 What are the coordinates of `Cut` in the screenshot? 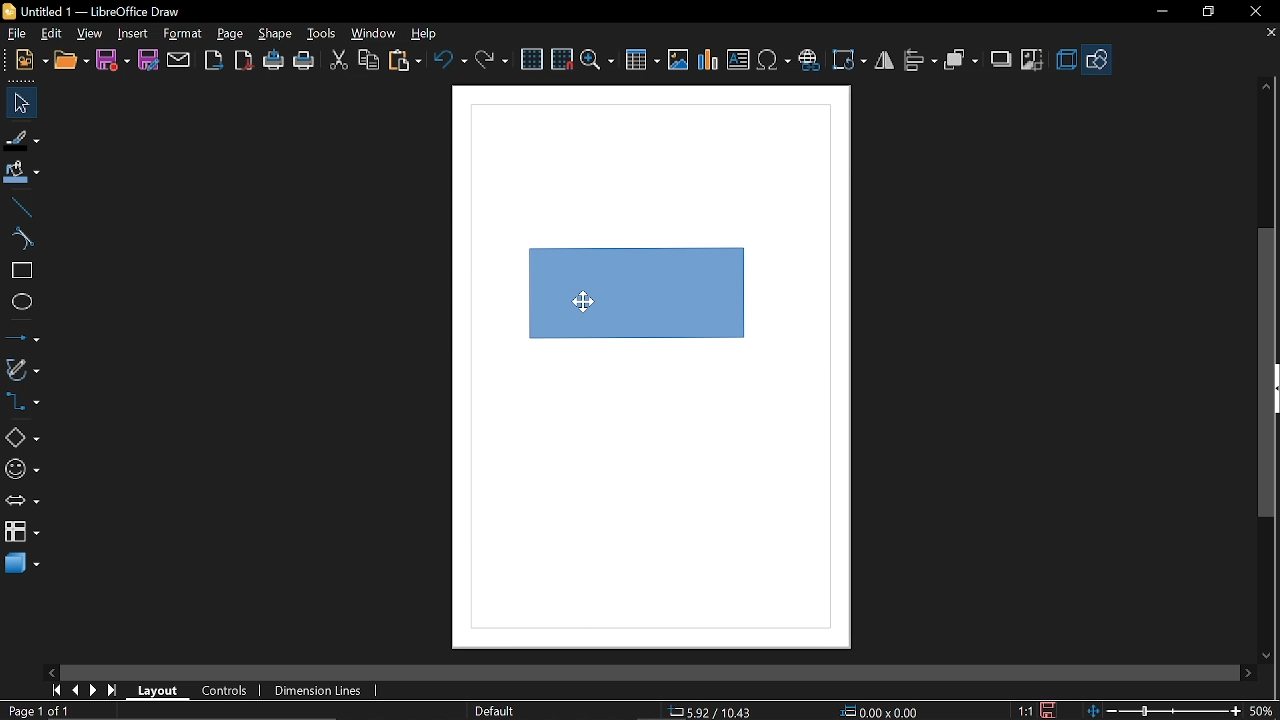 It's located at (338, 61).